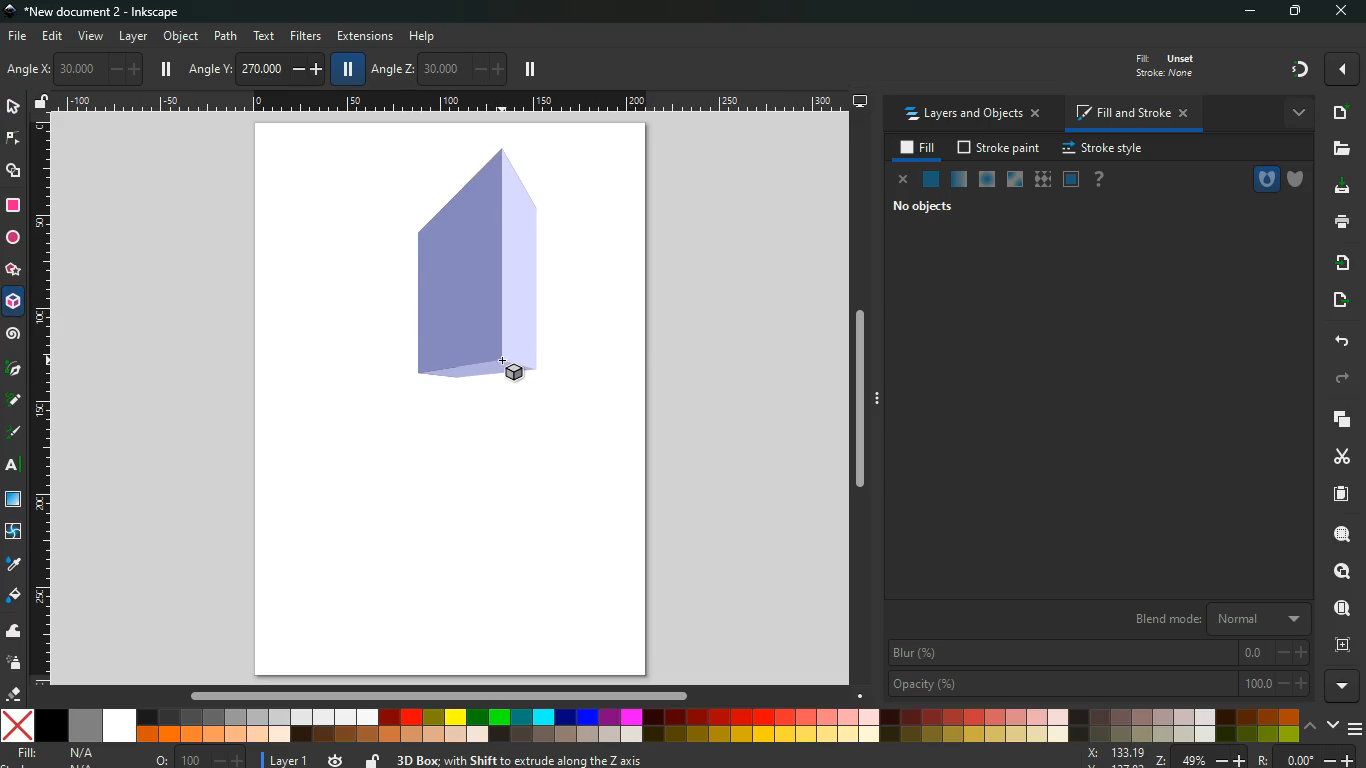  I want to click on menu, so click(1357, 729).